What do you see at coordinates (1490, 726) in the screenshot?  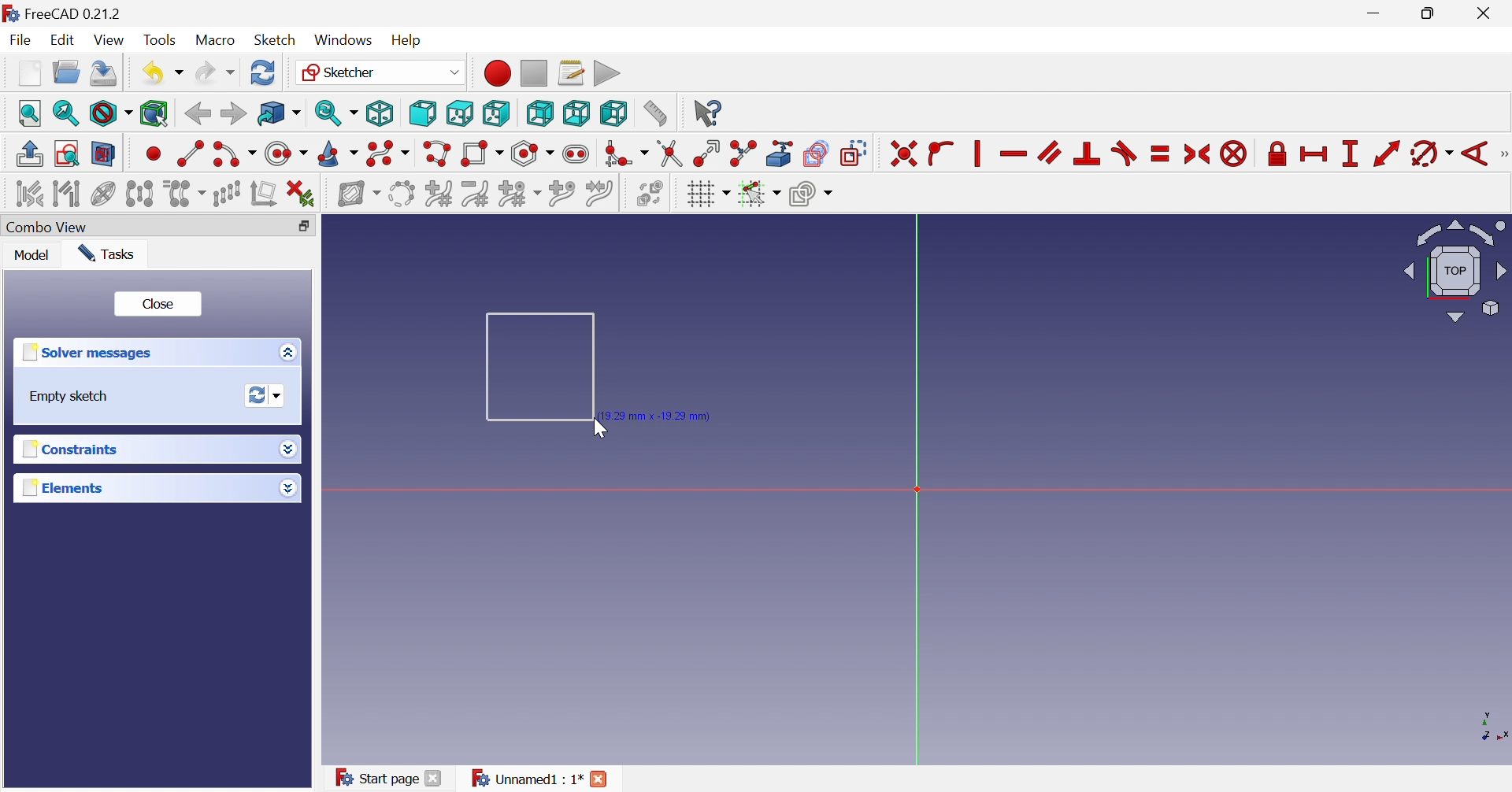 I see `x, y axis` at bounding box center [1490, 726].